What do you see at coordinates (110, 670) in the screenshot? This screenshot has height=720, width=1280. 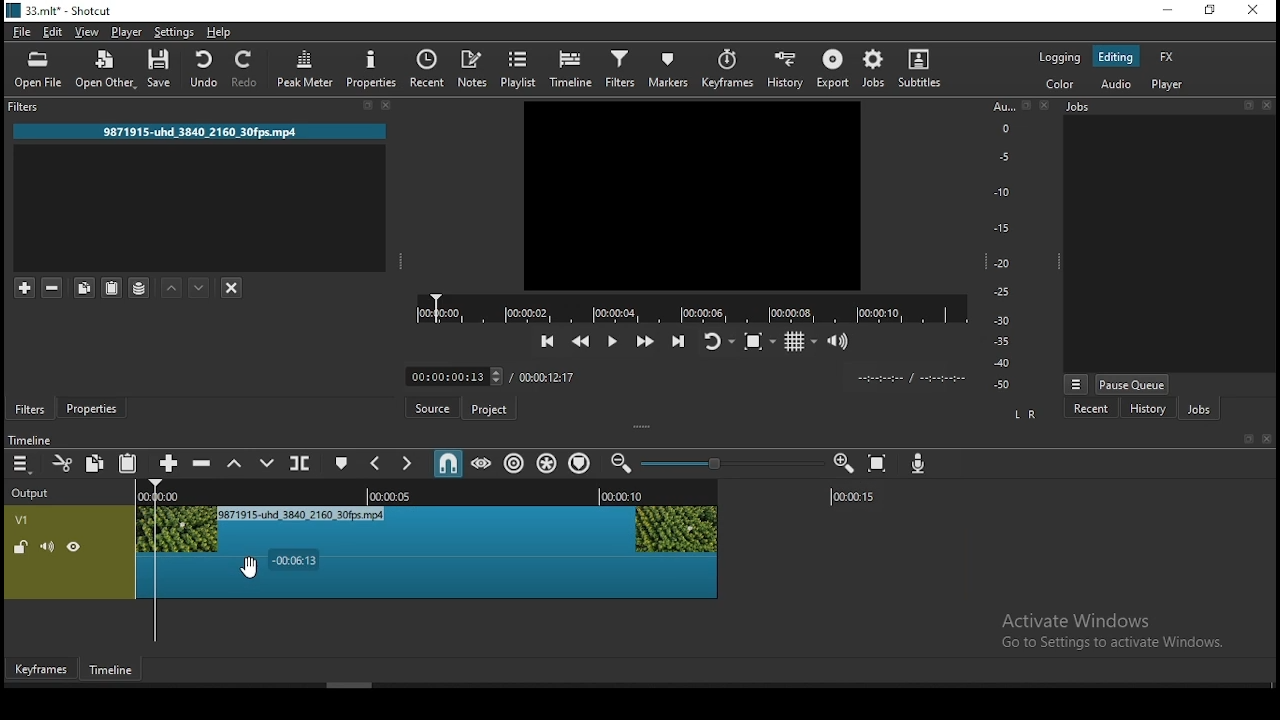 I see `Timeline` at bounding box center [110, 670].